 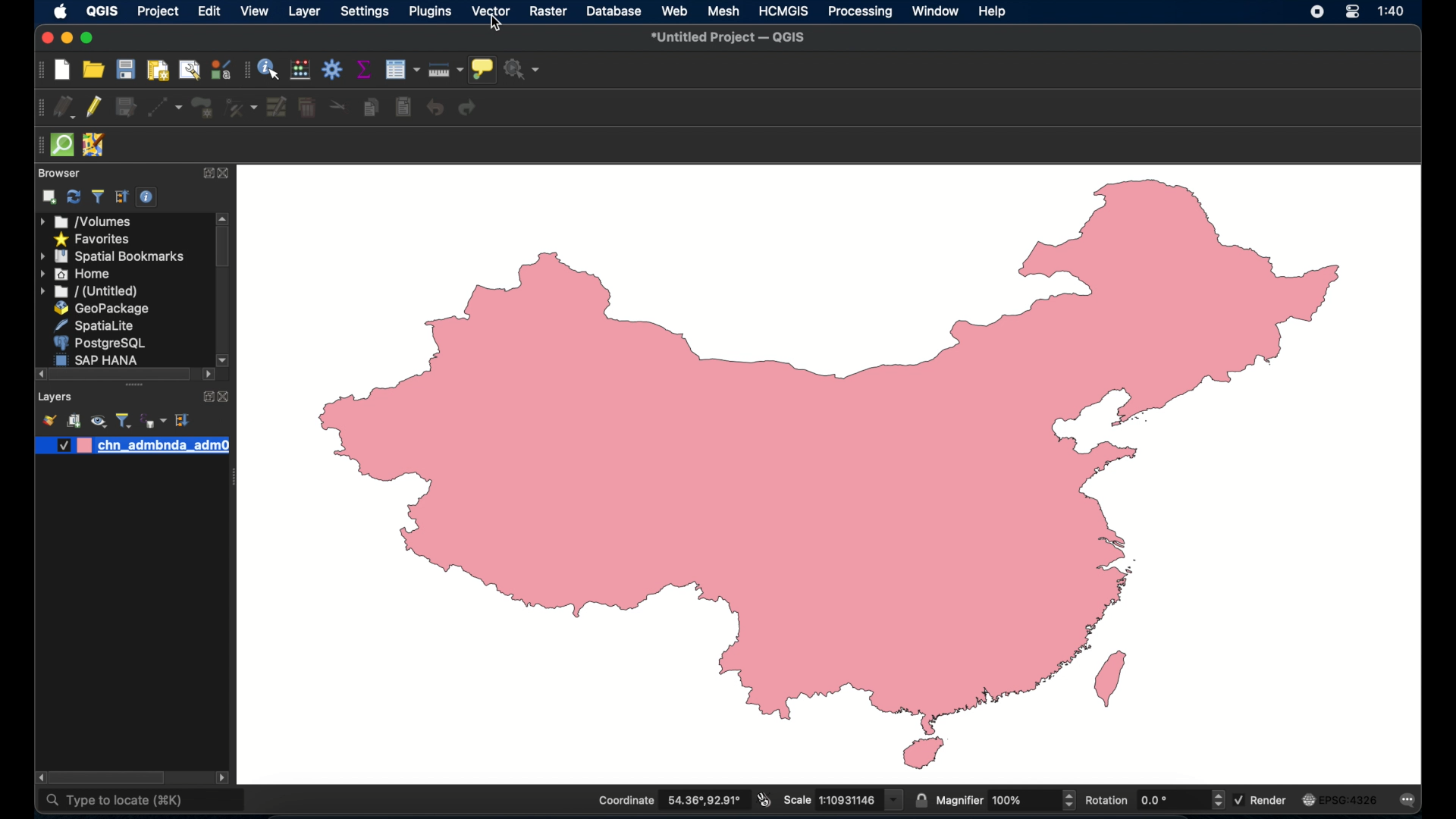 What do you see at coordinates (483, 70) in the screenshot?
I see `show map tips` at bounding box center [483, 70].